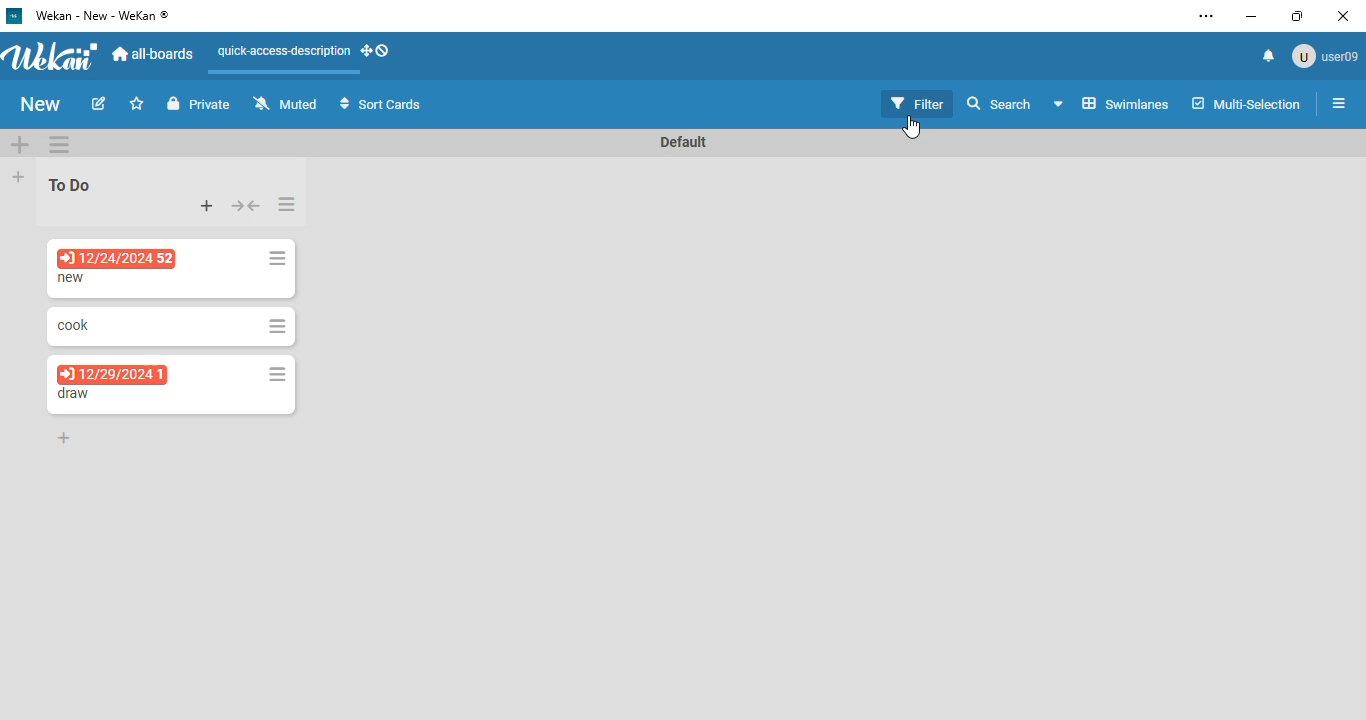  I want to click on show-desktop-drag-handles, so click(376, 50).